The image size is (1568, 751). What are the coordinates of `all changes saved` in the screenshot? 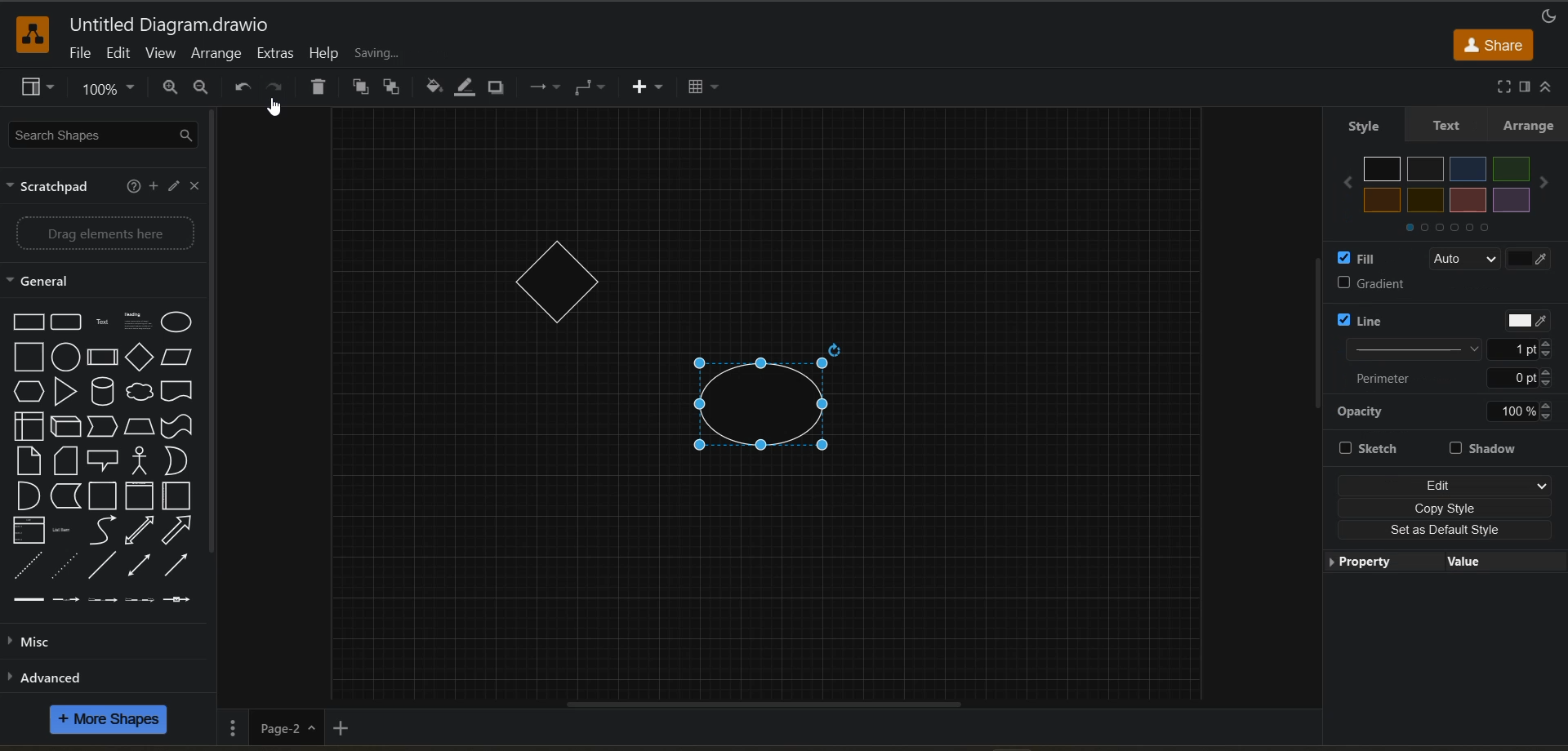 It's located at (406, 52).